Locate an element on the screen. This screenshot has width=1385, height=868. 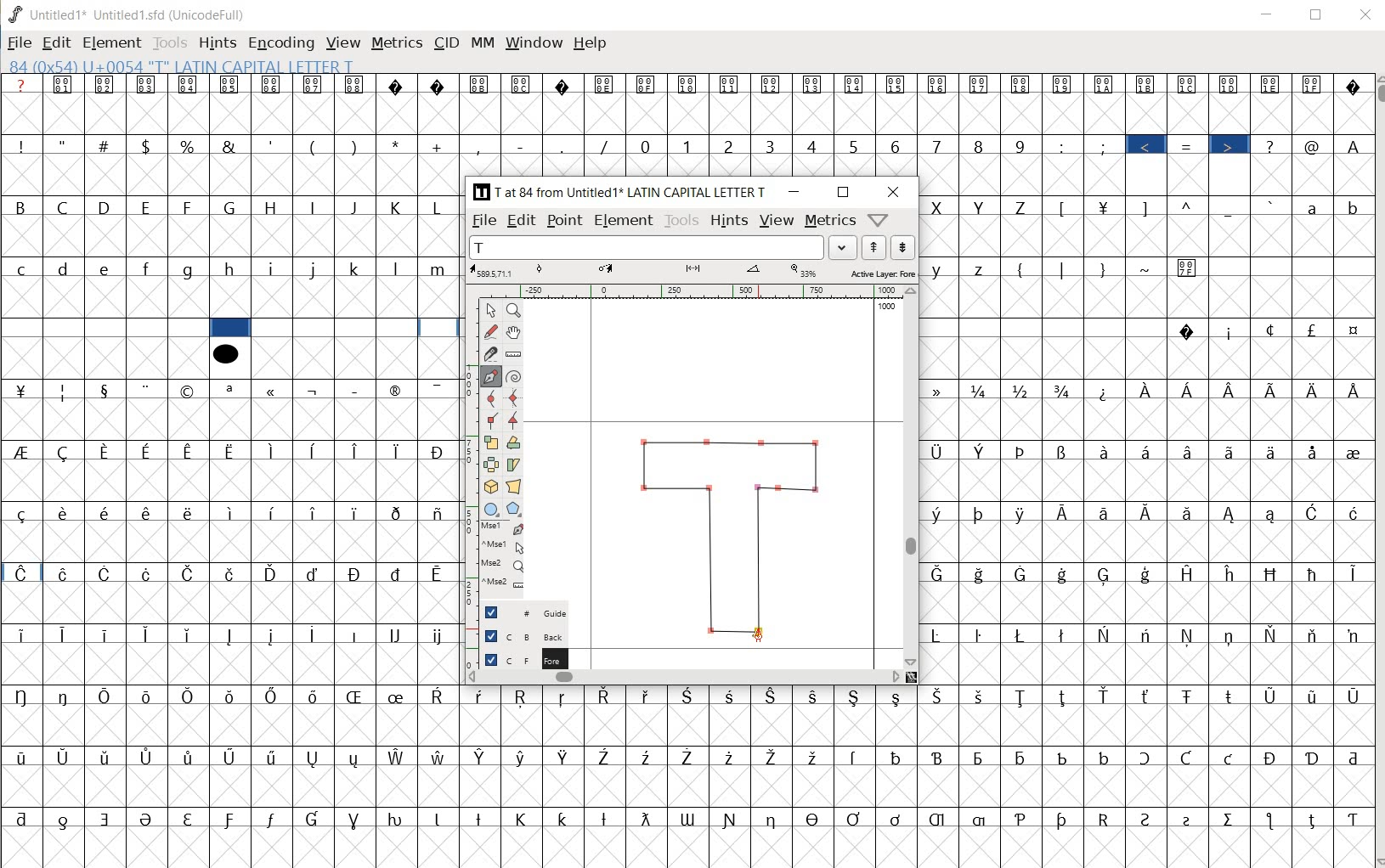
Symbol is located at coordinates (693, 758).